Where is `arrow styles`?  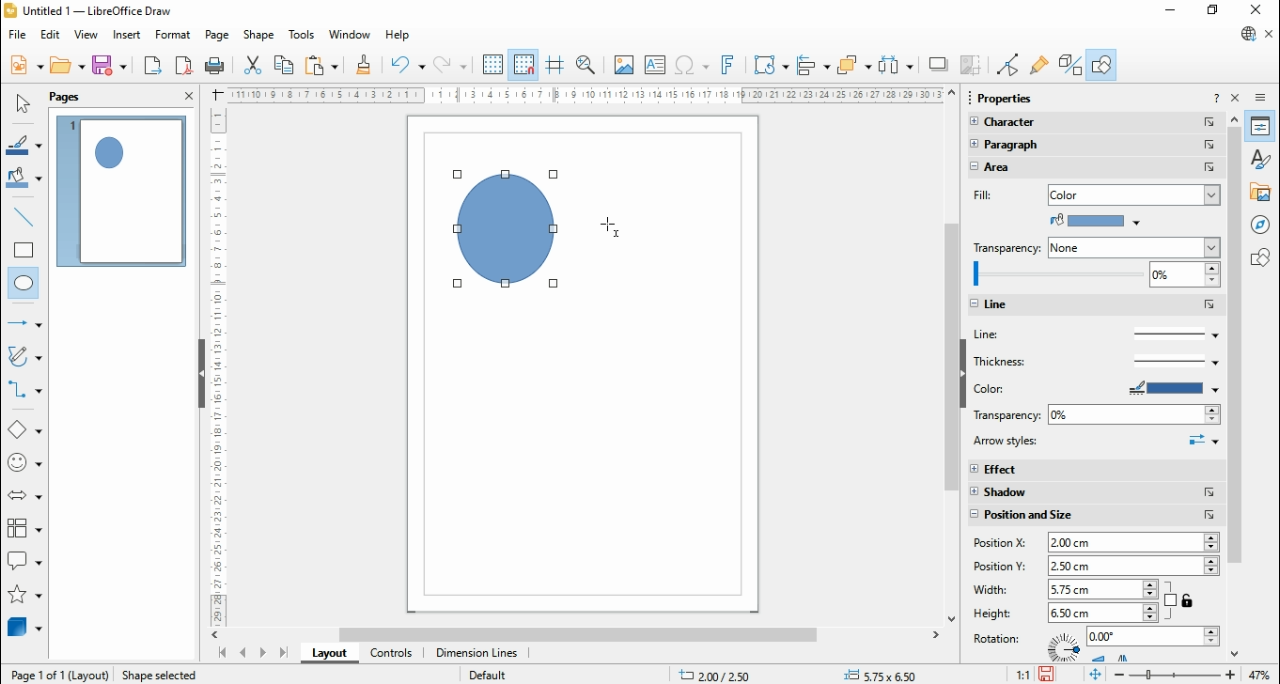
arrow styles is located at coordinates (1096, 442).